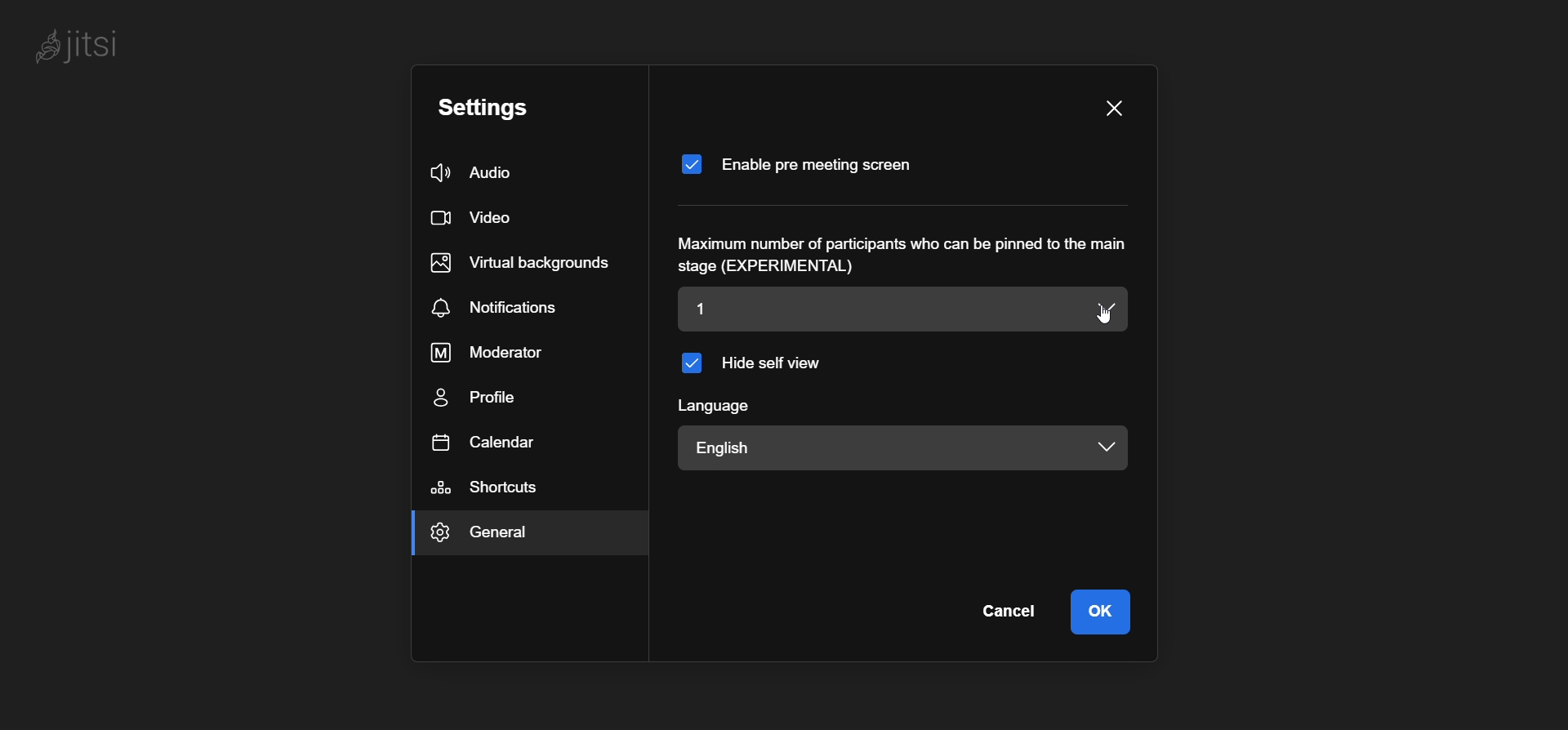 The height and width of the screenshot is (730, 1568). I want to click on language, so click(714, 405).